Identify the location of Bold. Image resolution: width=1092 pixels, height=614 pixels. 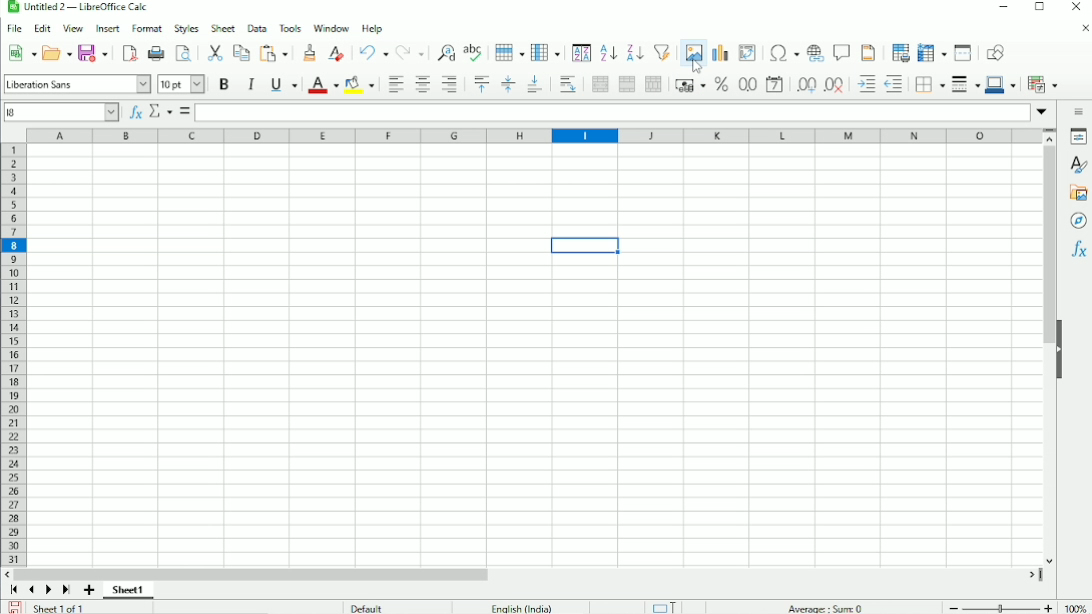
(224, 83).